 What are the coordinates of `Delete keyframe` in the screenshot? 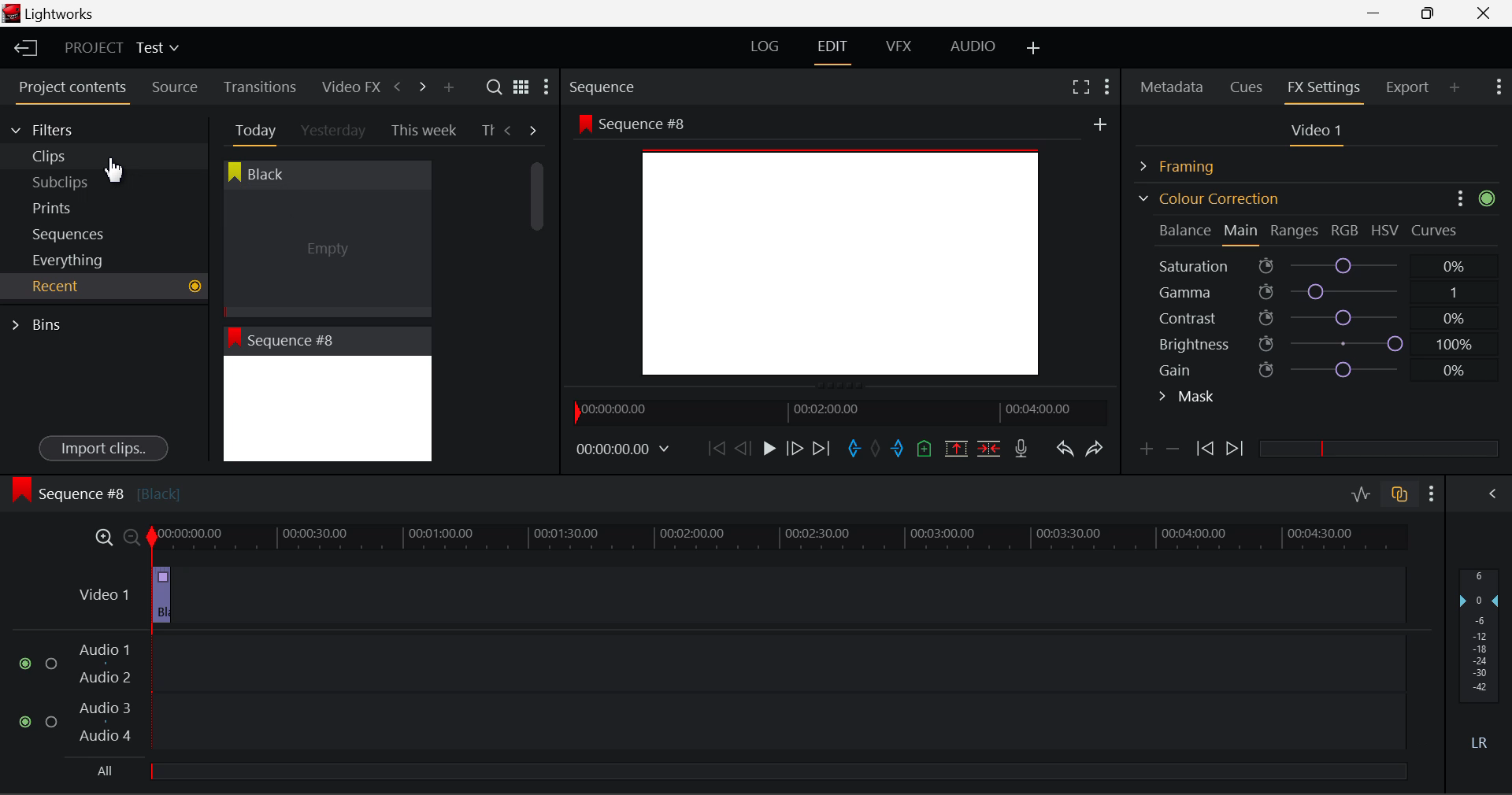 It's located at (1173, 452).